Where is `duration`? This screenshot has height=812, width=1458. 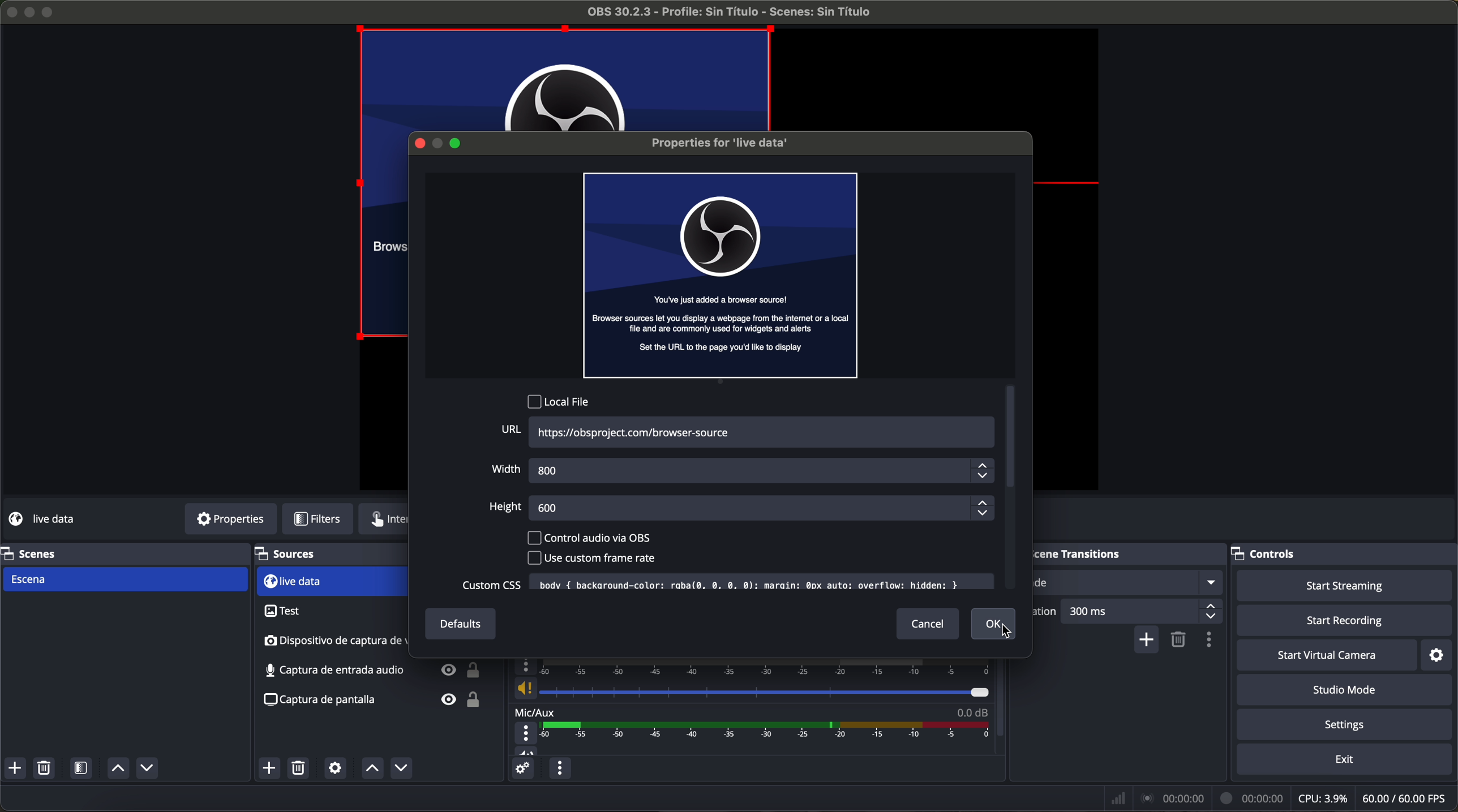
duration is located at coordinates (1045, 611).